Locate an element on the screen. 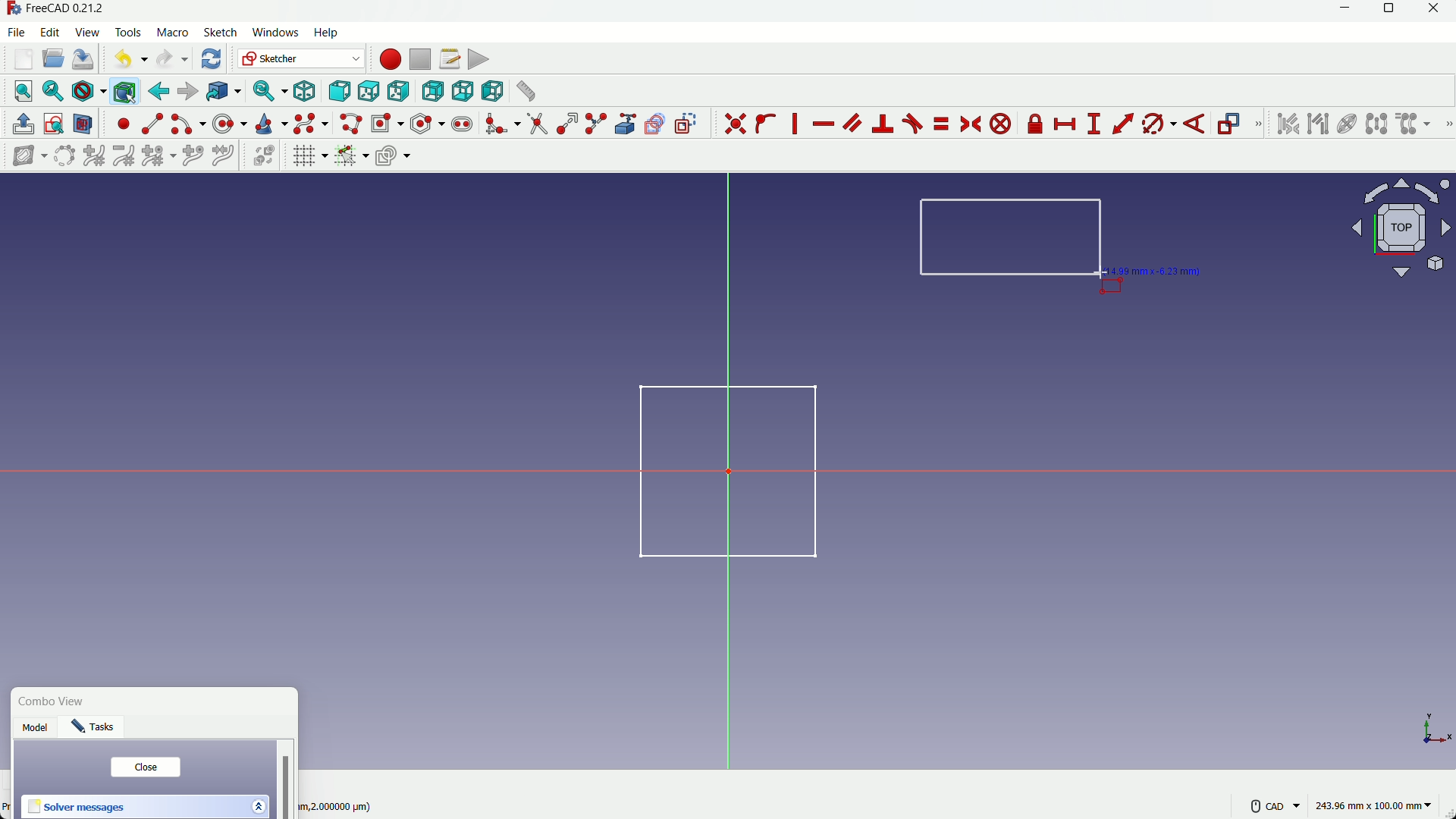  create circle is located at coordinates (231, 123).